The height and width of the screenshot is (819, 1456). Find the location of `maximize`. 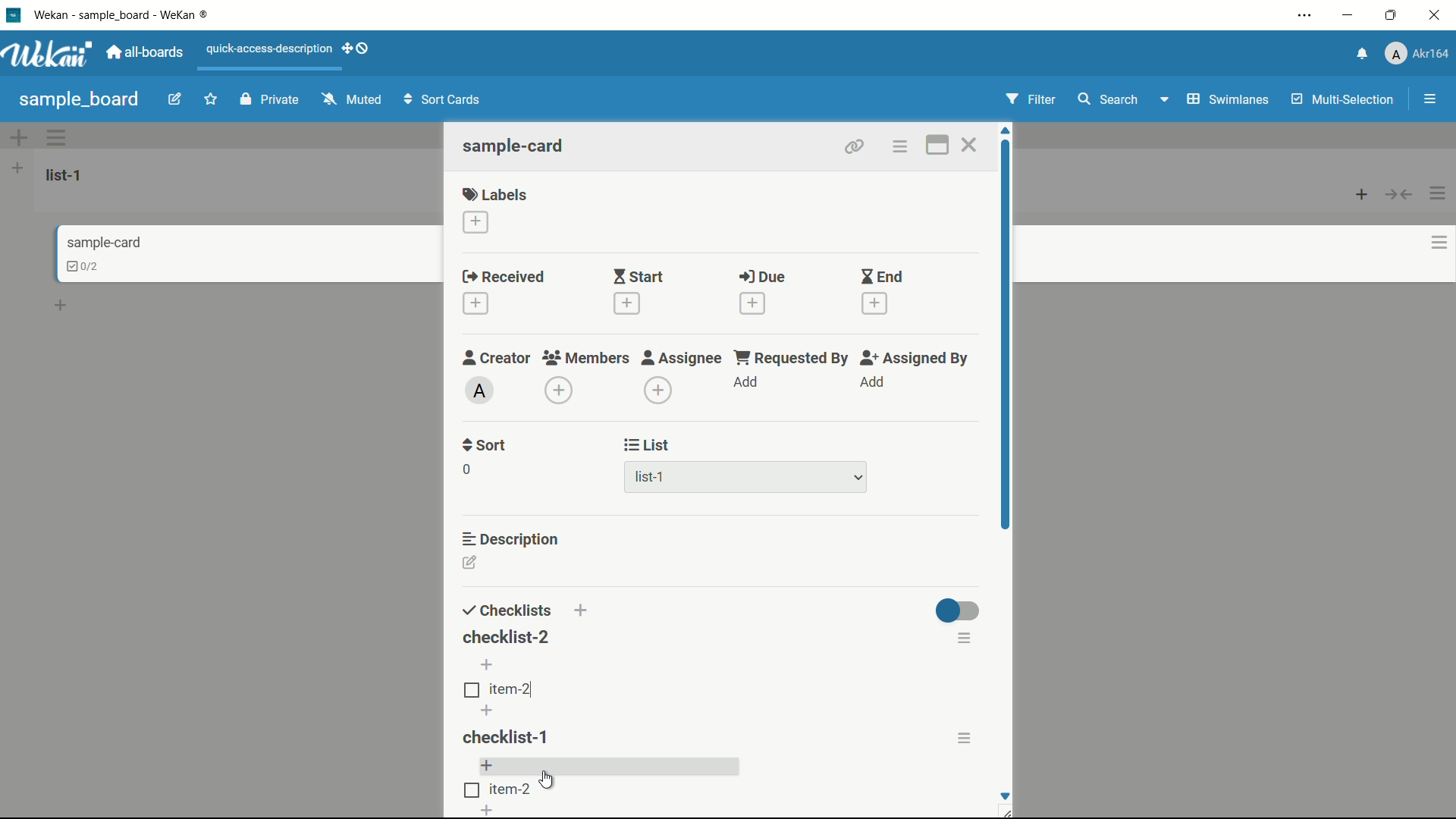

maximize is located at coordinates (1393, 16).